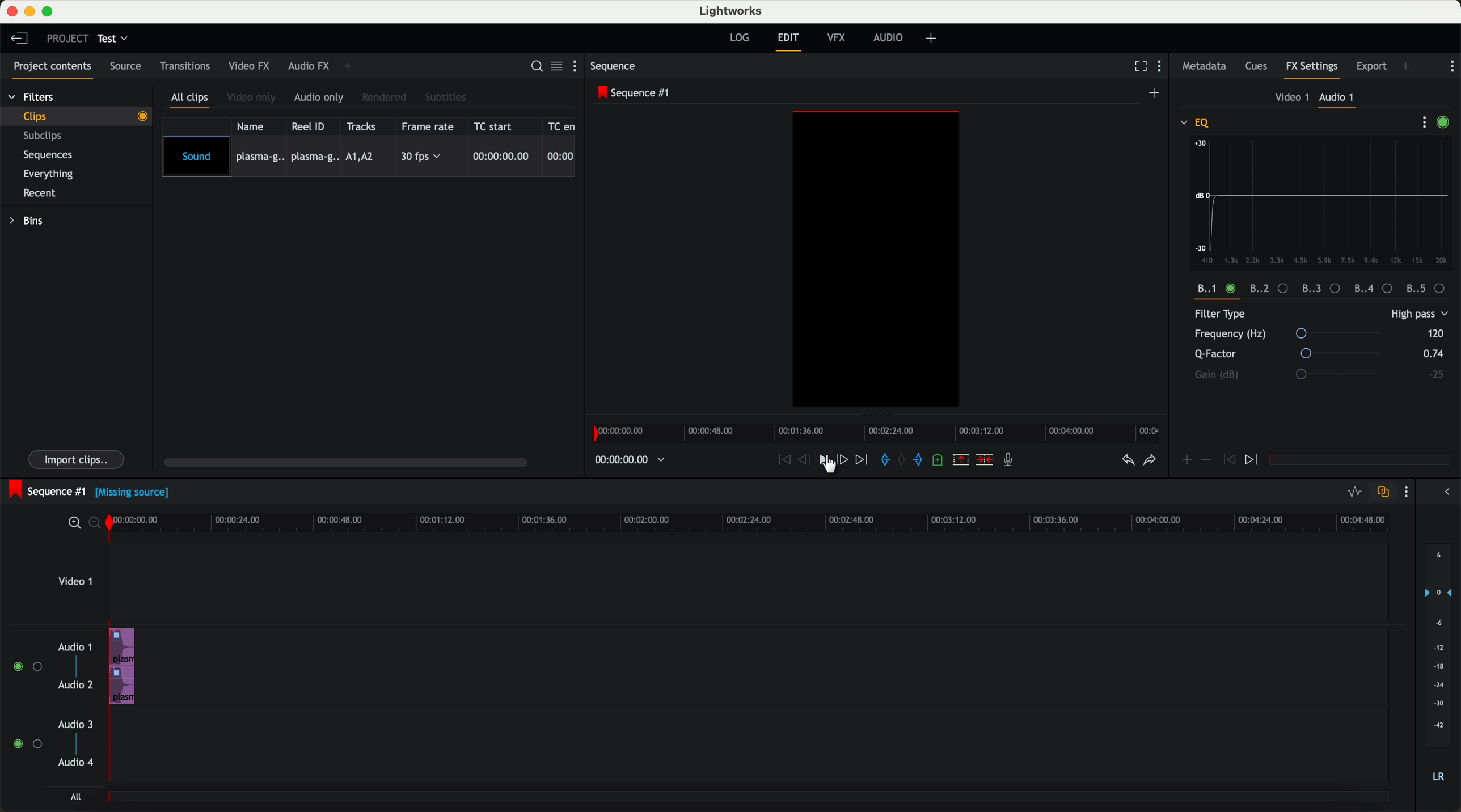 This screenshot has height=812, width=1461. I want to click on add keyframe at the current position, so click(1187, 460).